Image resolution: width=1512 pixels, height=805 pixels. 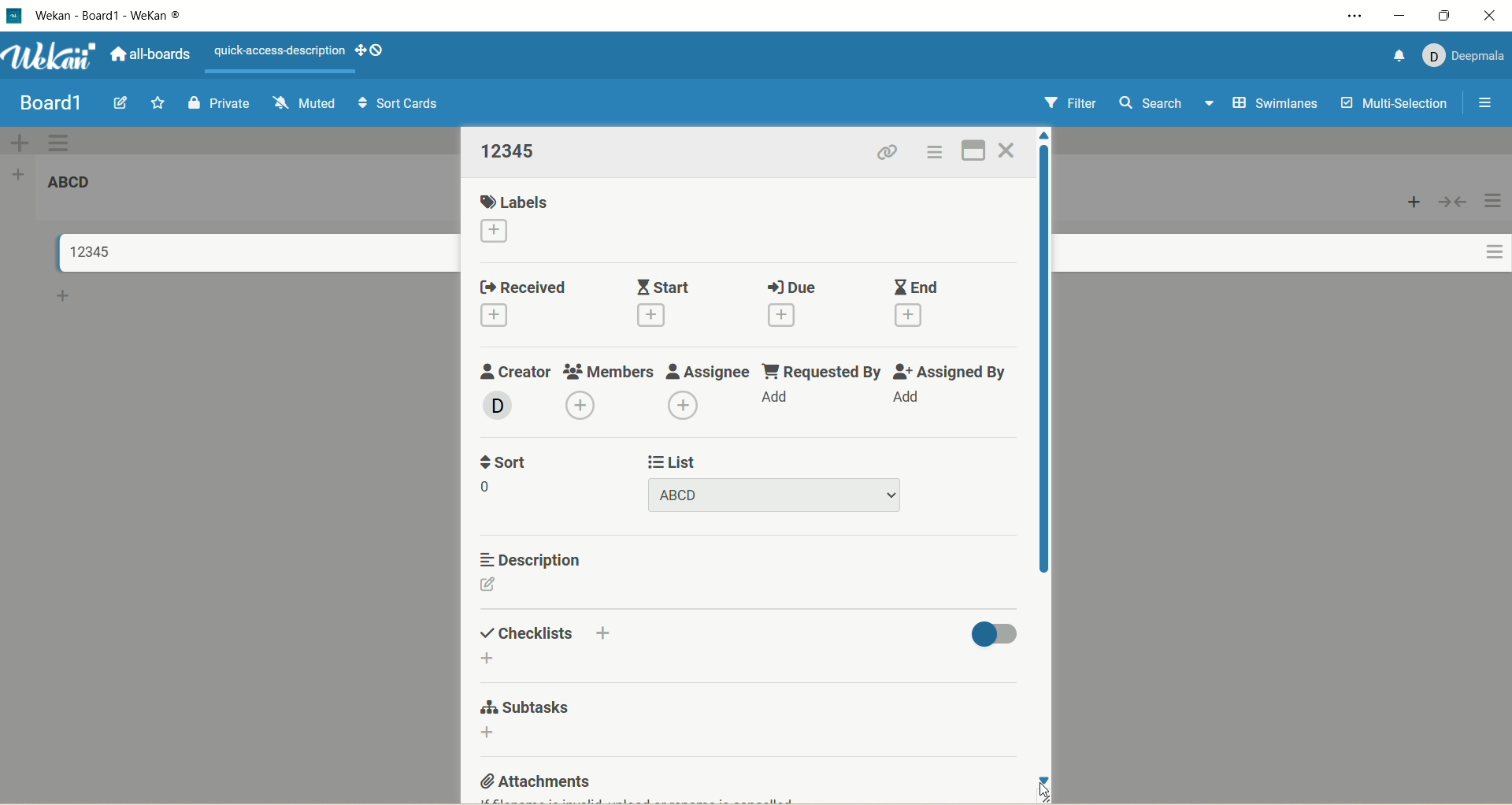 What do you see at coordinates (83, 252) in the screenshot?
I see `title` at bounding box center [83, 252].